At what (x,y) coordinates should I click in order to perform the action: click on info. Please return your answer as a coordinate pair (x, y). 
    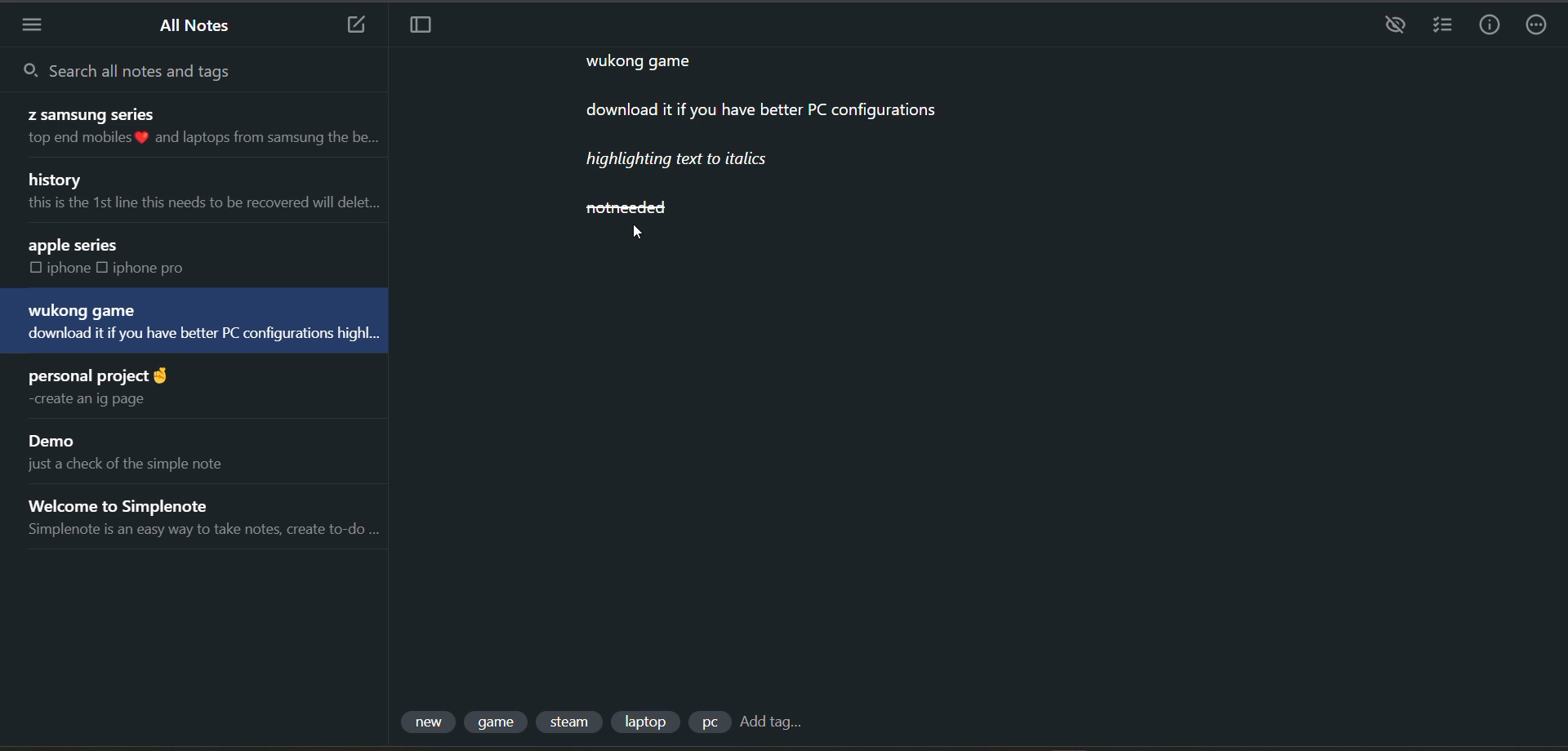
    Looking at the image, I should click on (1485, 24).